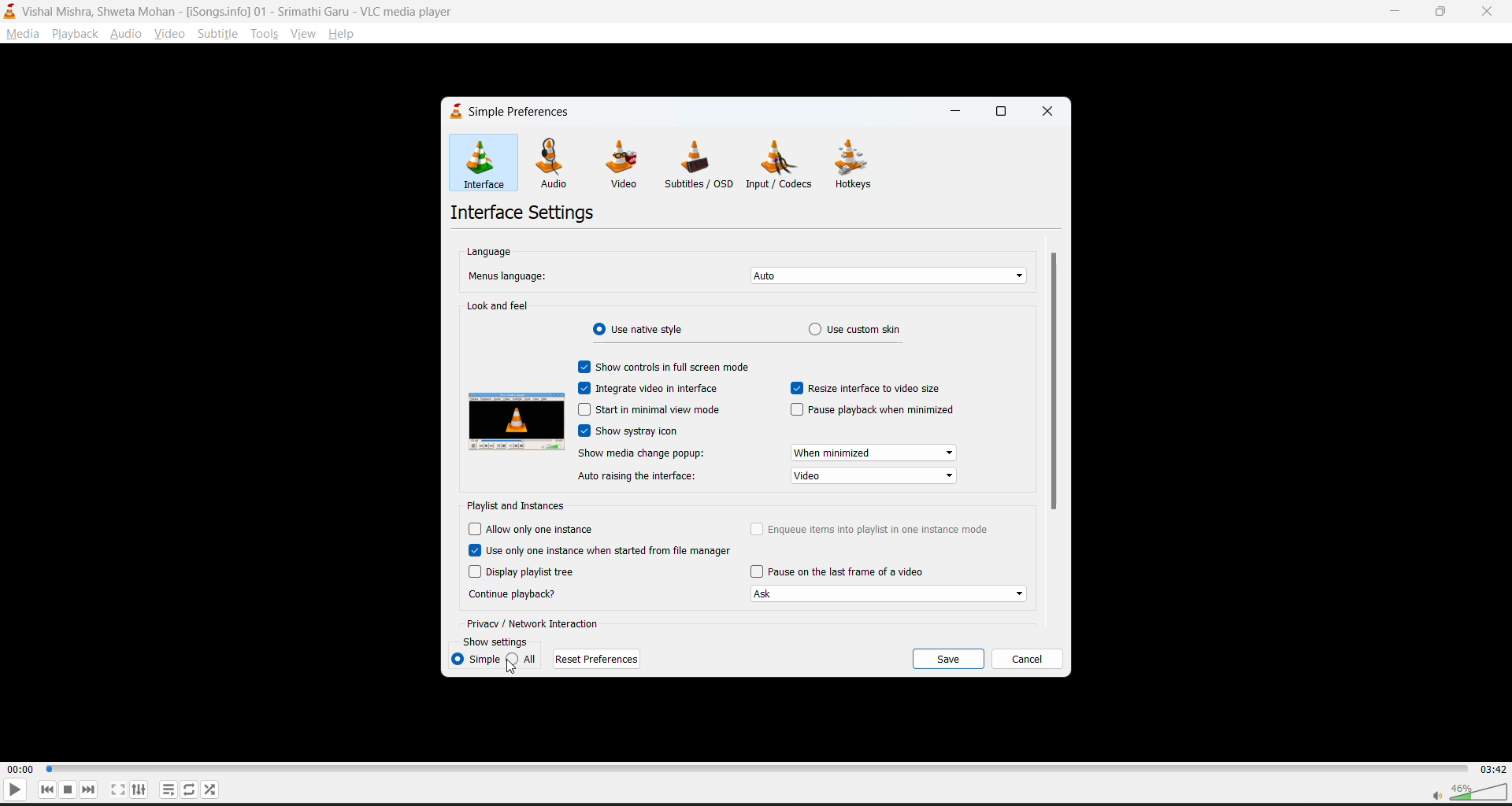 Image resolution: width=1512 pixels, height=806 pixels. Describe the element at coordinates (21, 770) in the screenshot. I see `00:00` at that location.